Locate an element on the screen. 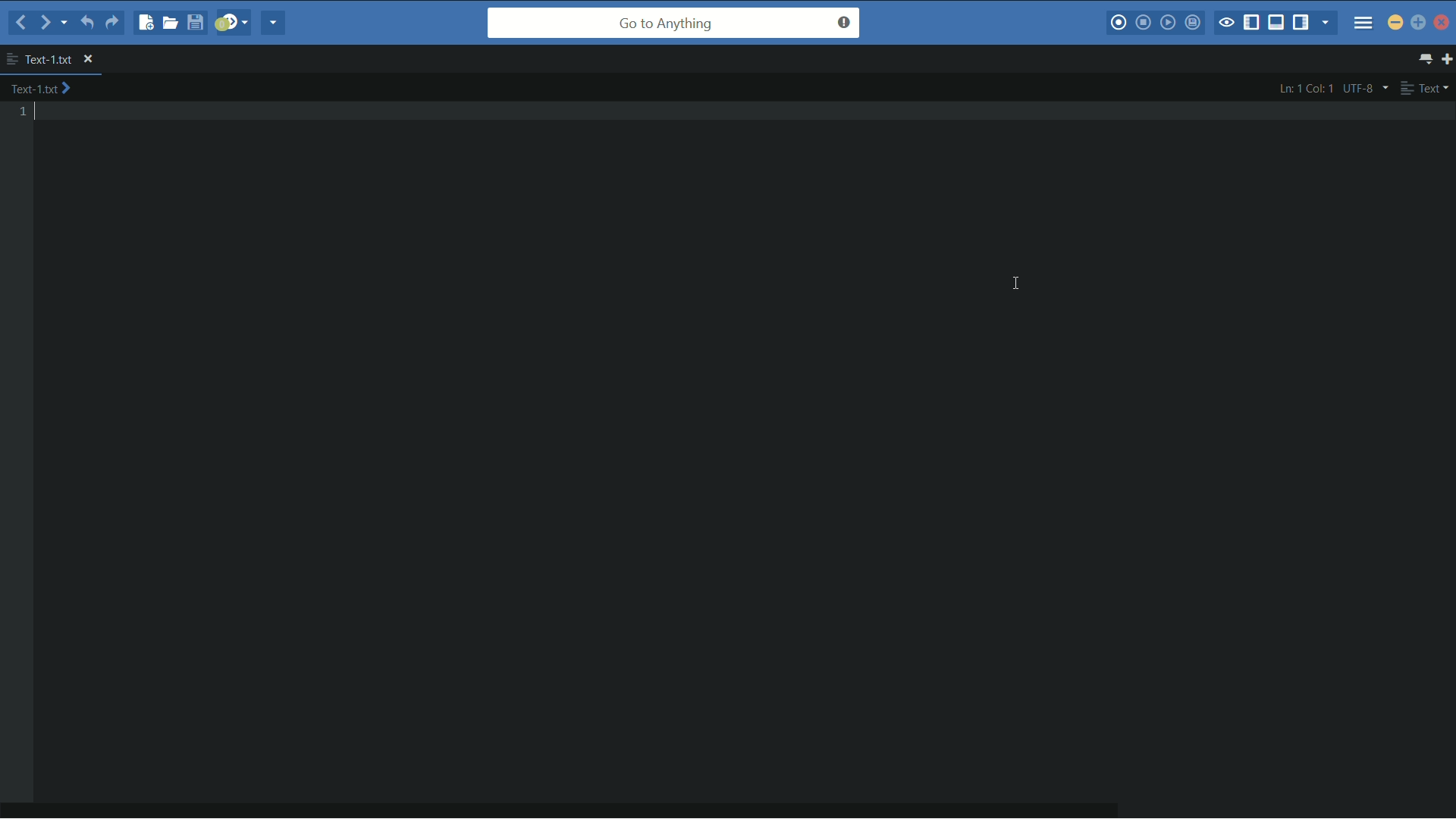 The width and height of the screenshot is (1456, 819). menu is located at coordinates (1364, 24).